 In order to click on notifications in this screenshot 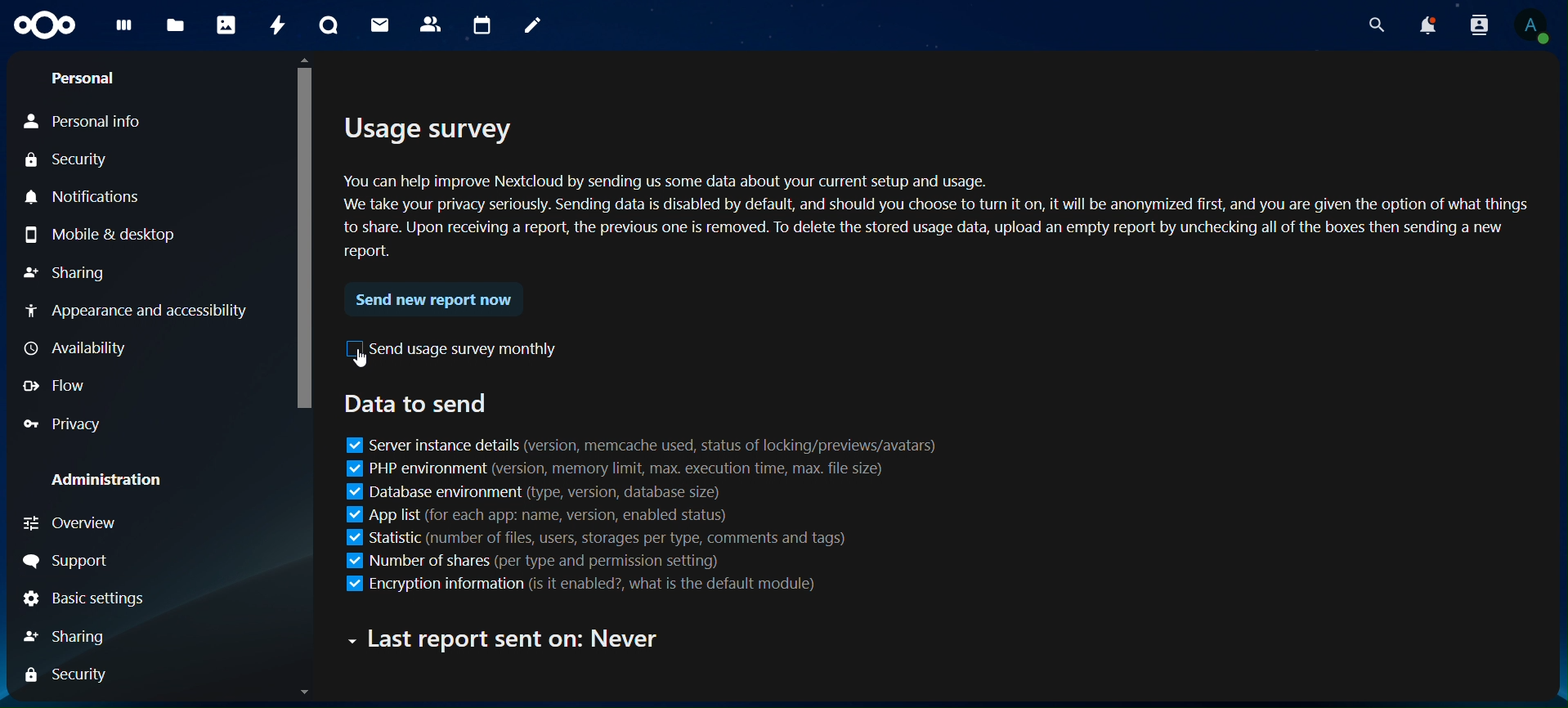, I will do `click(1429, 23)`.